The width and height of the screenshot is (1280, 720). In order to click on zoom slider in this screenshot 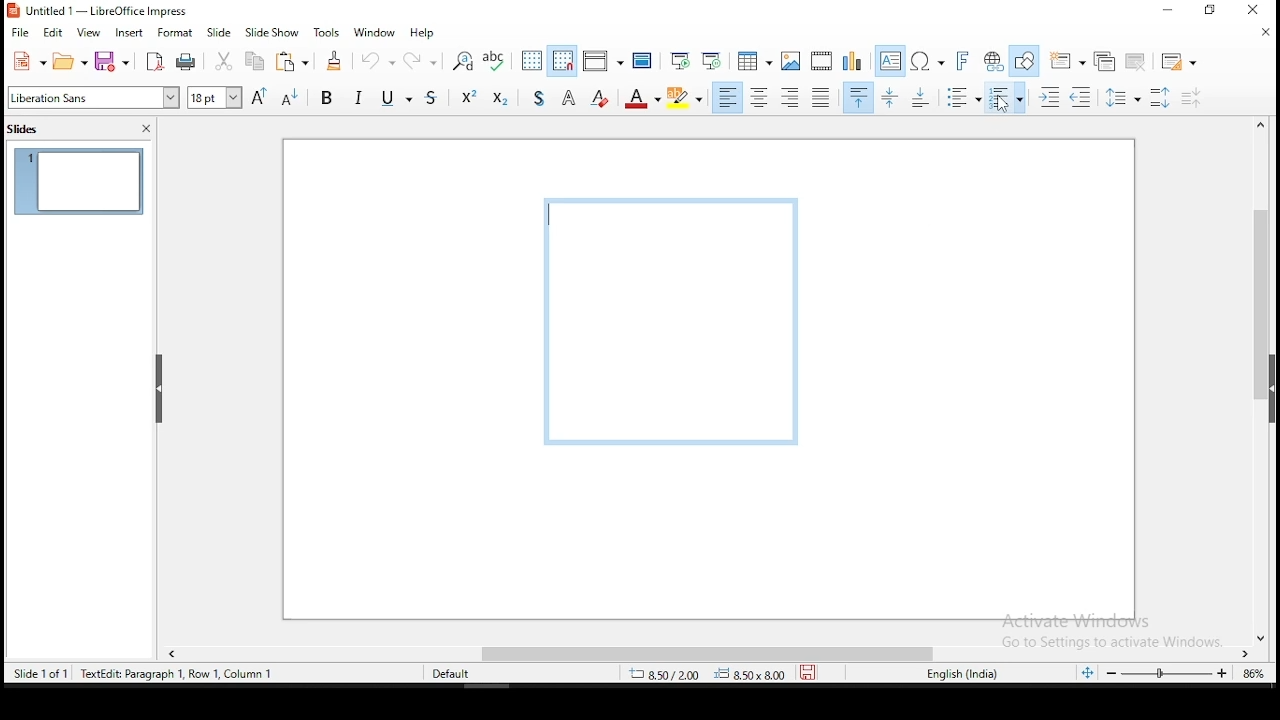, I will do `click(1167, 673)`.